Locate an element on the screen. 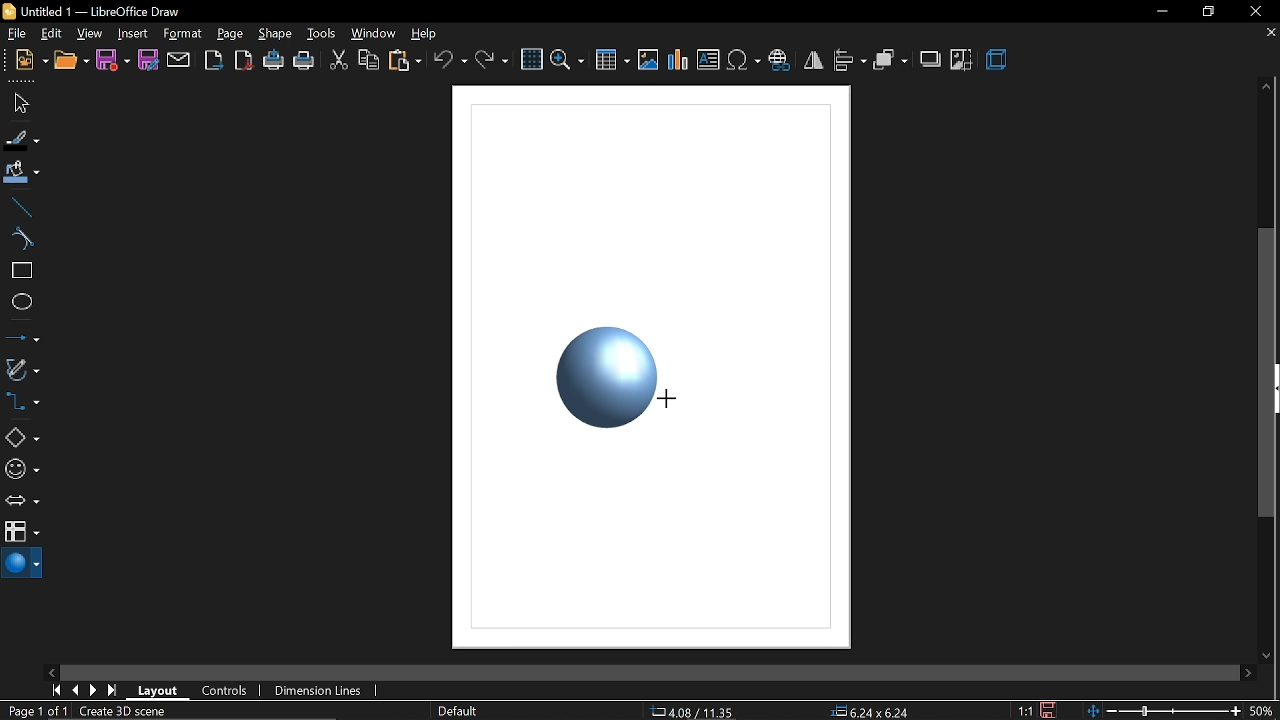 The width and height of the screenshot is (1280, 720). Cursor is located at coordinates (664, 398).